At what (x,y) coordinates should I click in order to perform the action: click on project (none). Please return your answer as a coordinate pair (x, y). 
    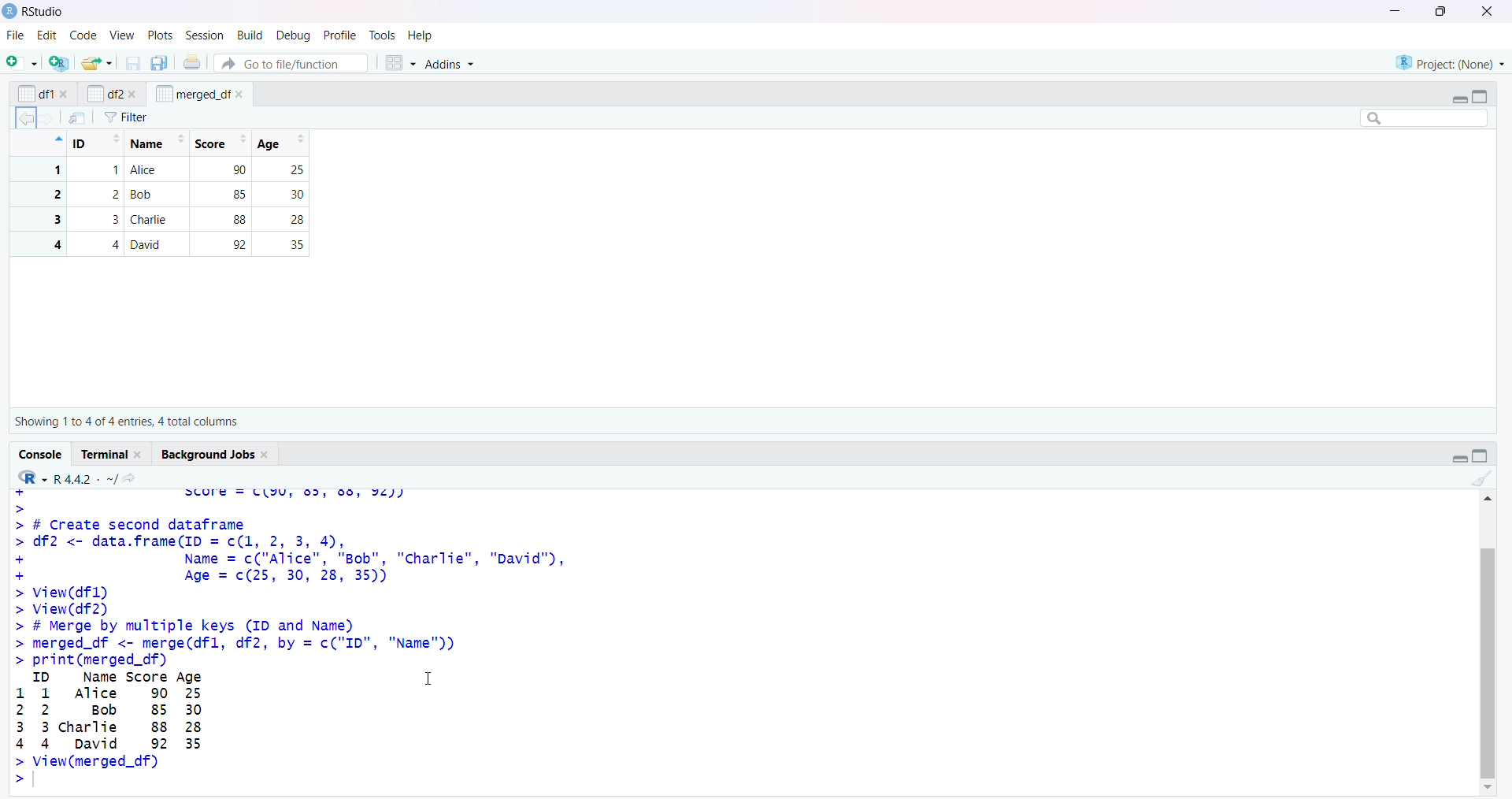
    Looking at the image, I should click on (1450, 62).